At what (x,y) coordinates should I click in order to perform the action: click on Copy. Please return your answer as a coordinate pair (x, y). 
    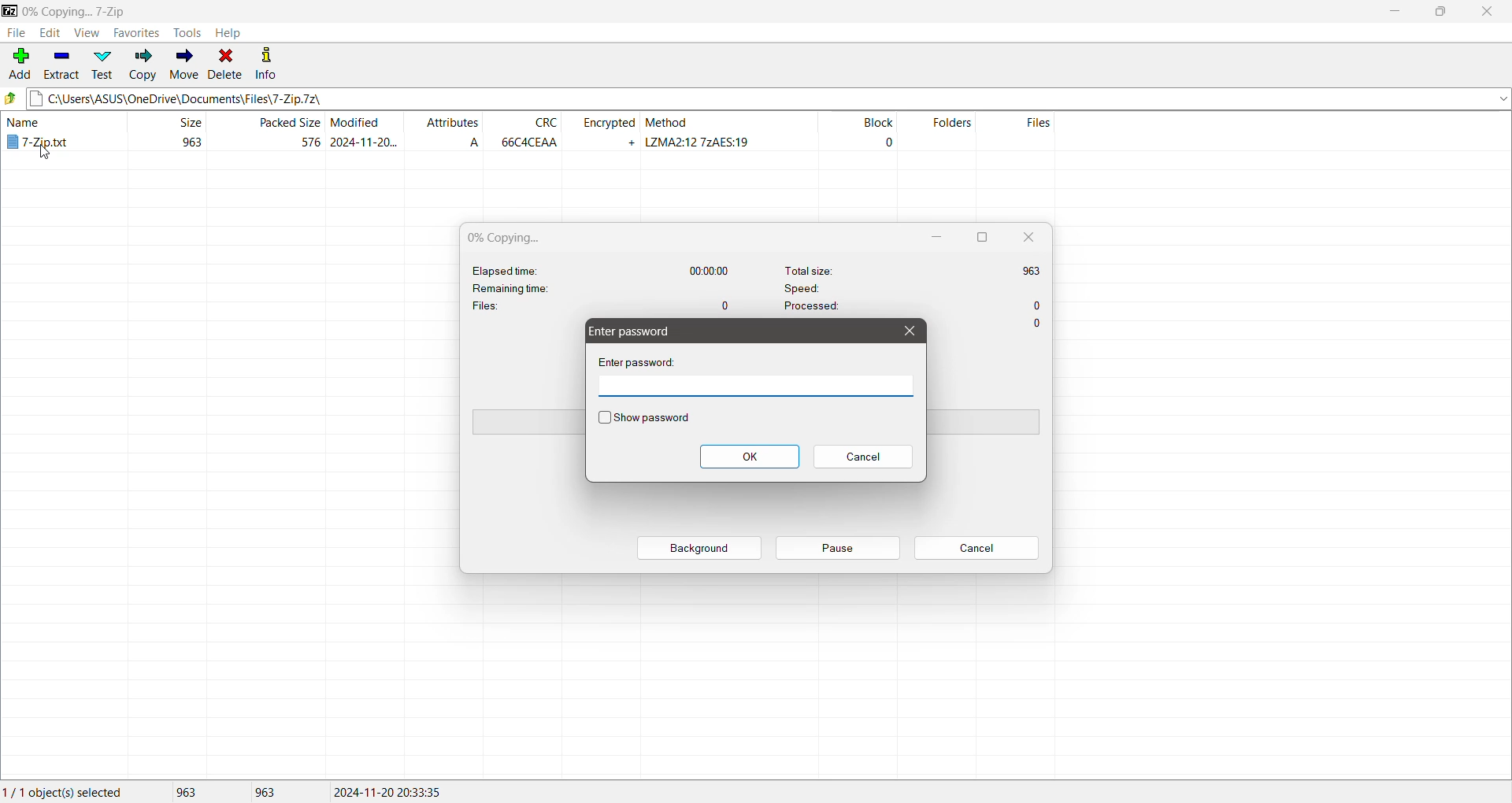
    Looking at the image, I should click on (143, 64).